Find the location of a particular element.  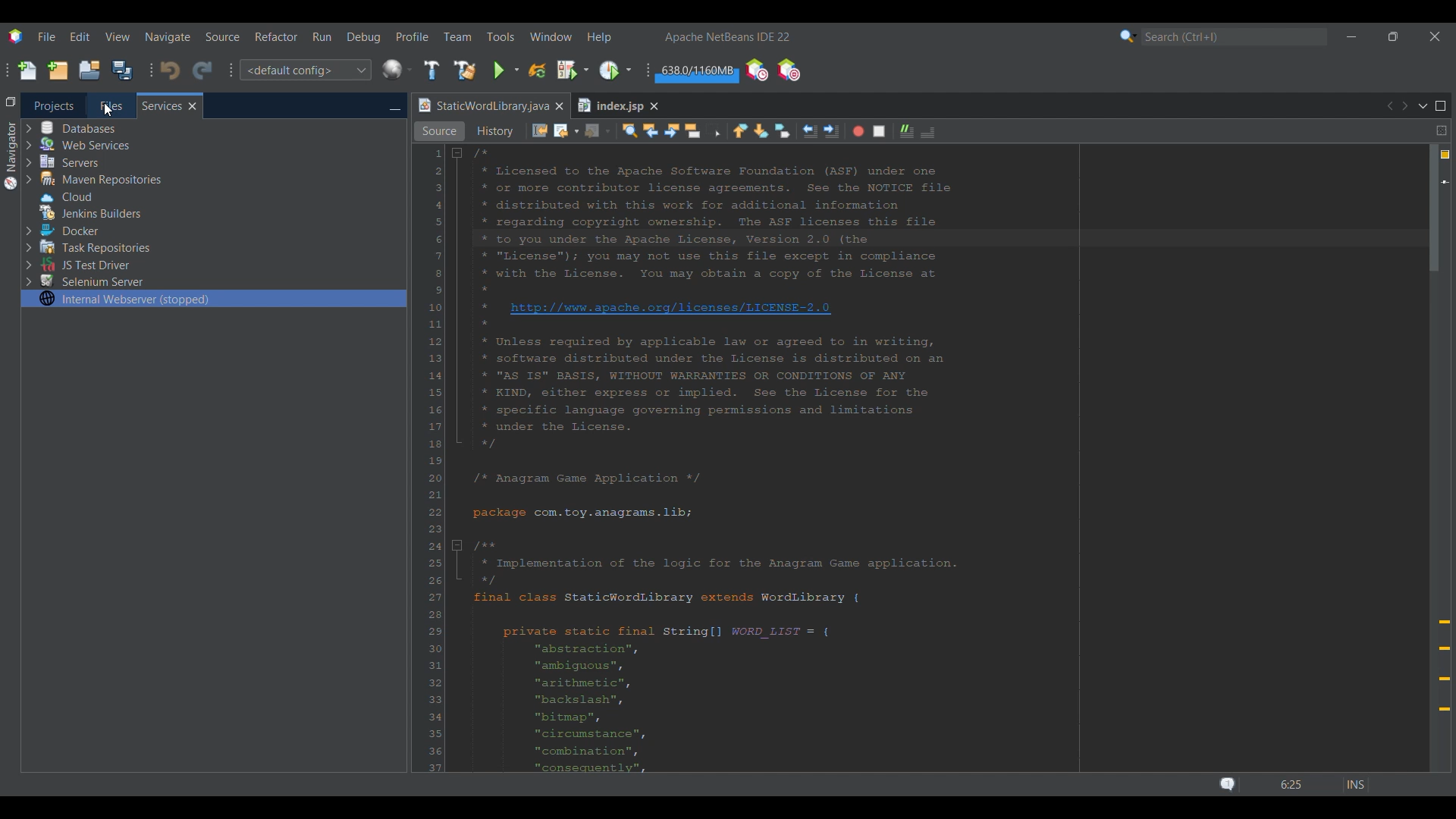

Redo is located at coordinates (202, 71).